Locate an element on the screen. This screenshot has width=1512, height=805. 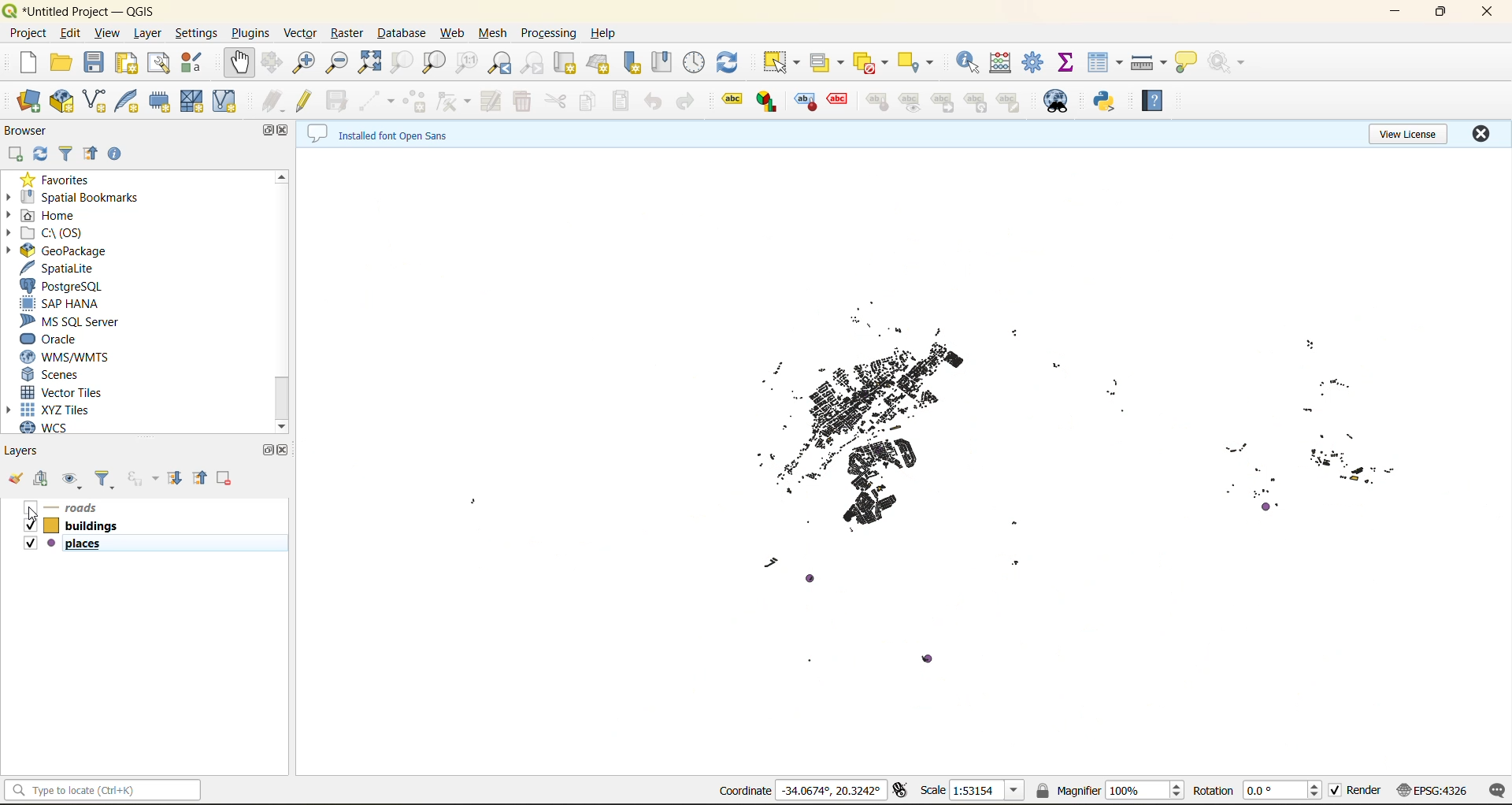
labels toolbar 4 is located at coordinates (838, 100).